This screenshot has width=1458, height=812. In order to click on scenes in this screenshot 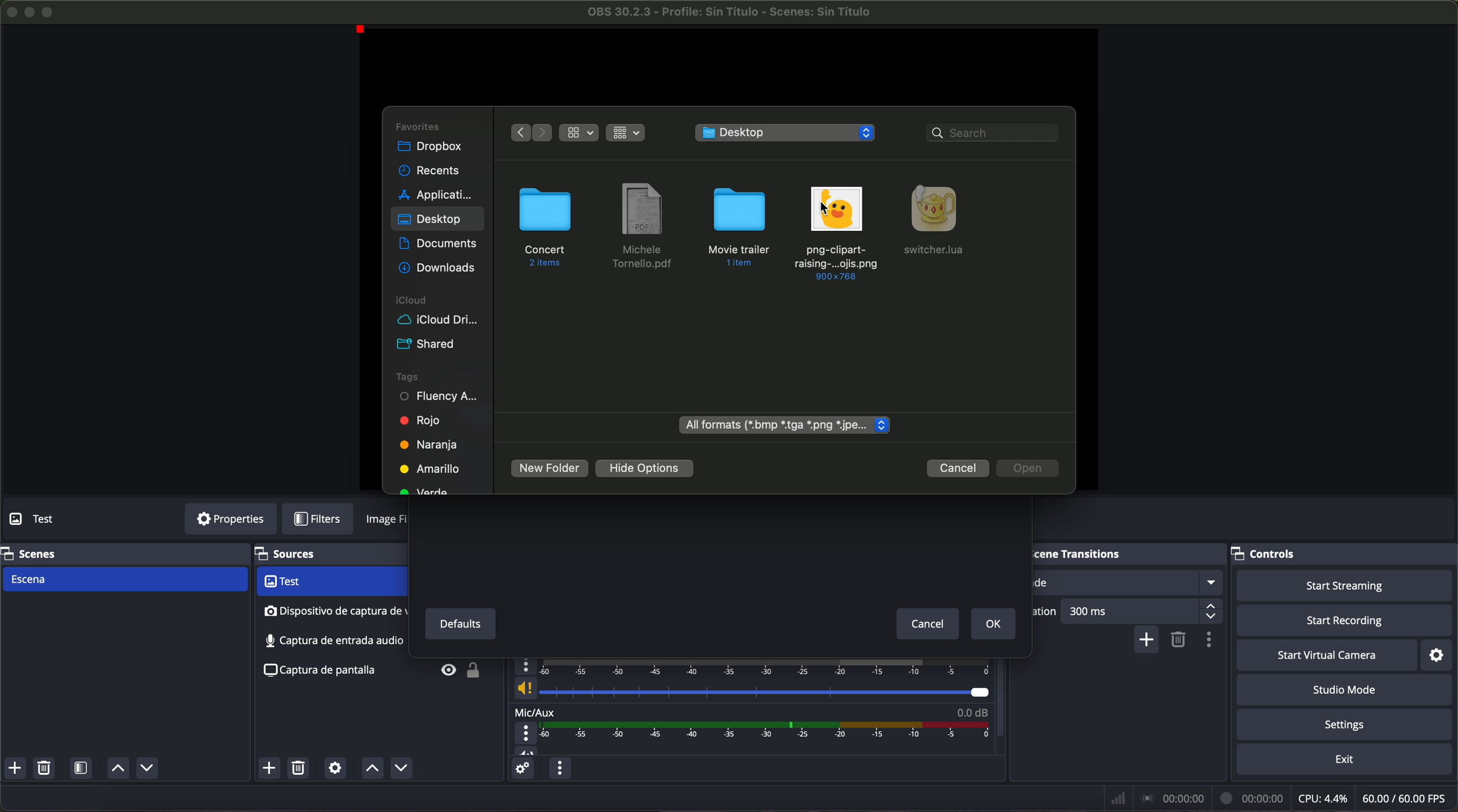, I will do `click(31, 553)`.